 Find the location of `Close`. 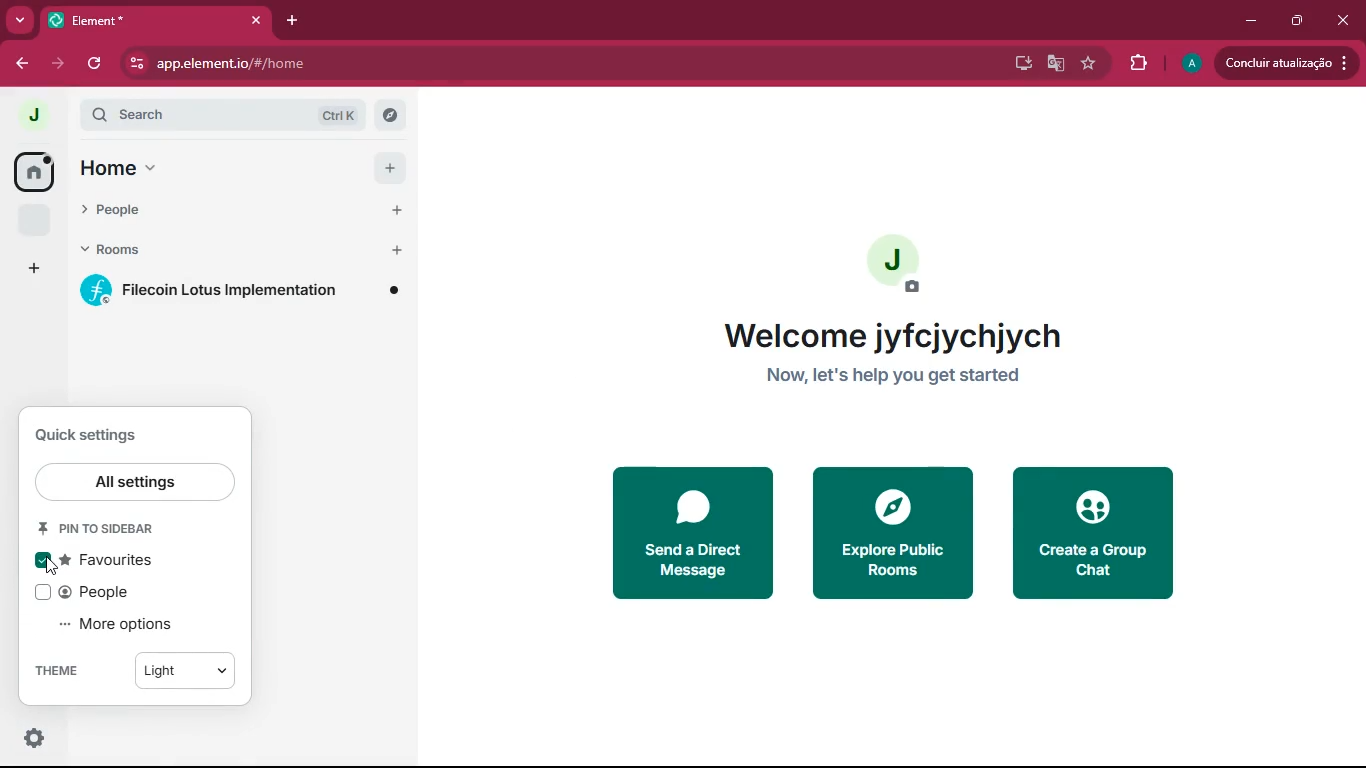

Close is located at coordinates (256, 20).